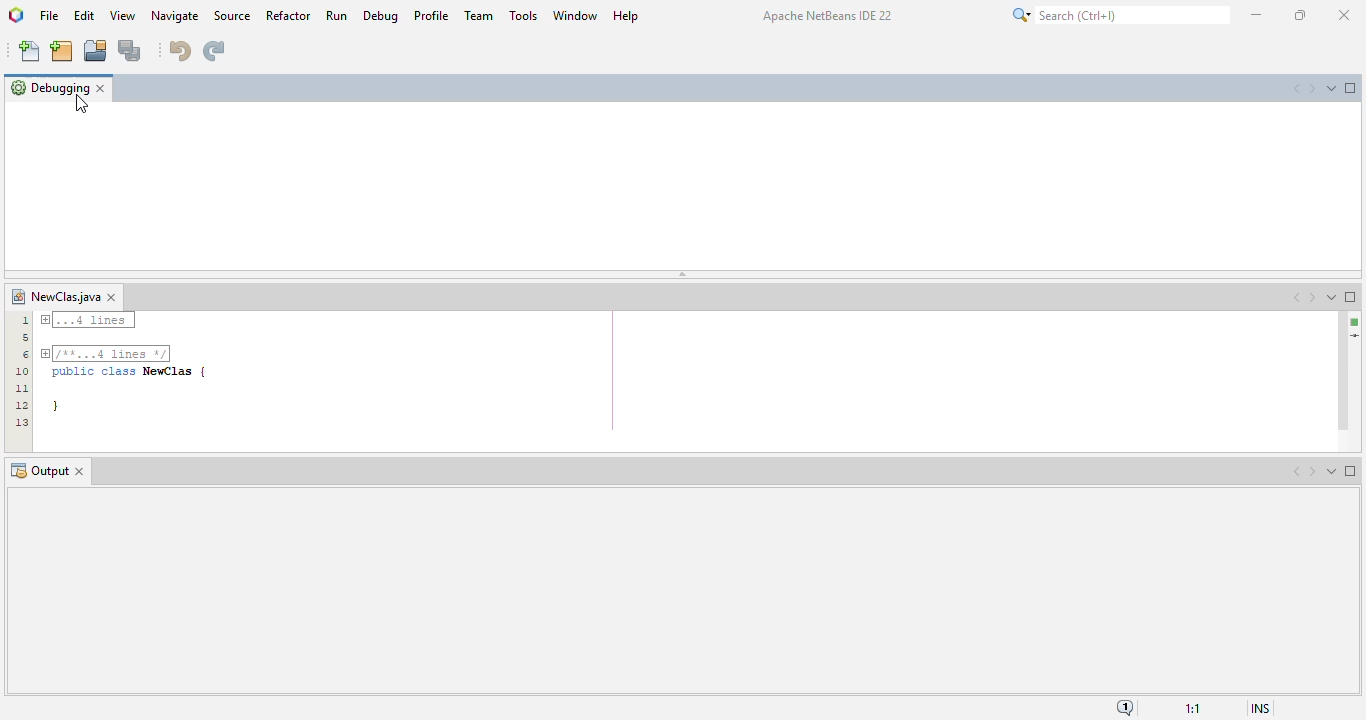  Describe the element at coordinates (430, 15) in the screenshot. I see `profile` at that location.